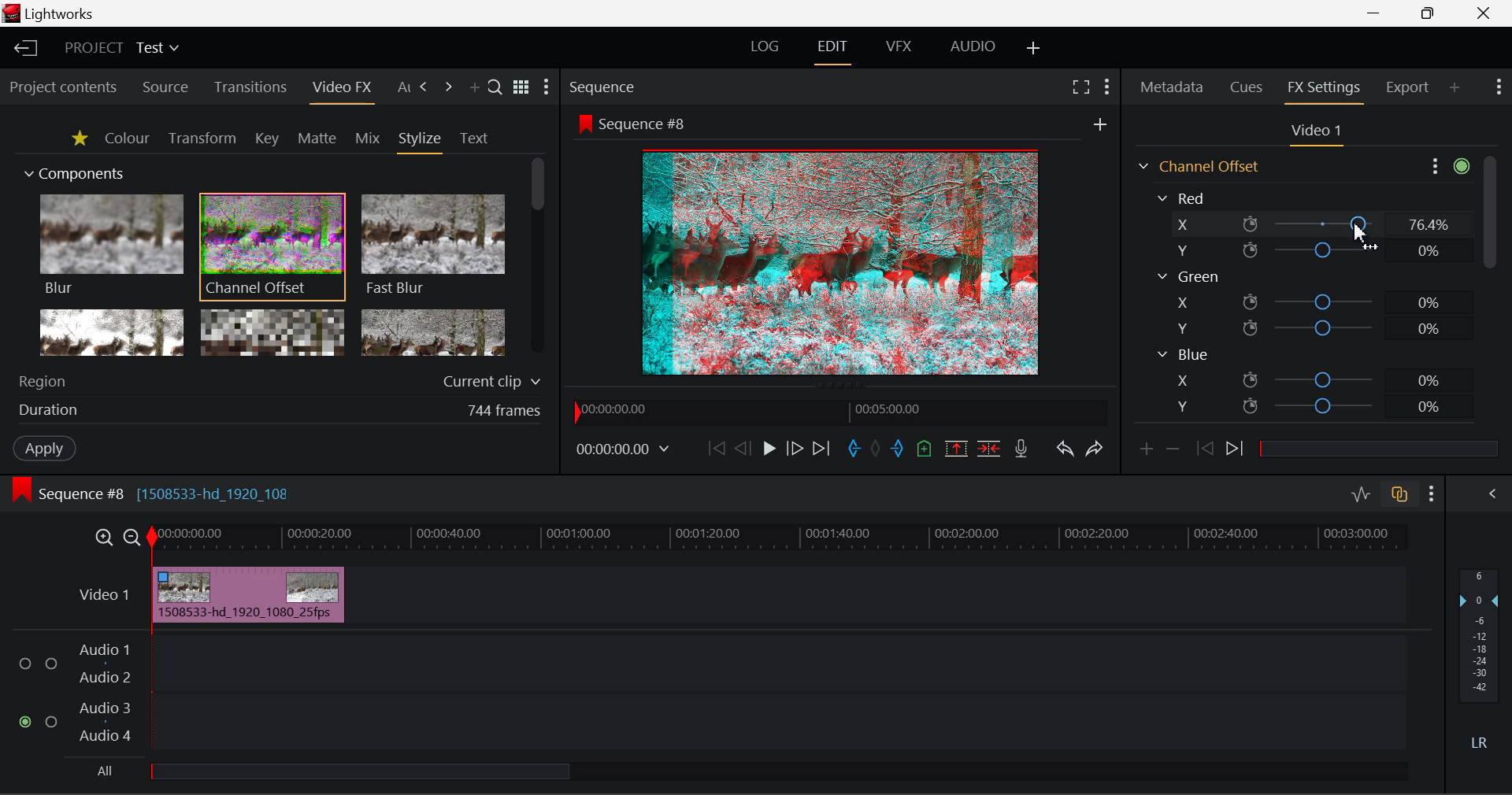  Describe the element at coordinates (109, 331) in the screenshot. I see `Glow` at that location.